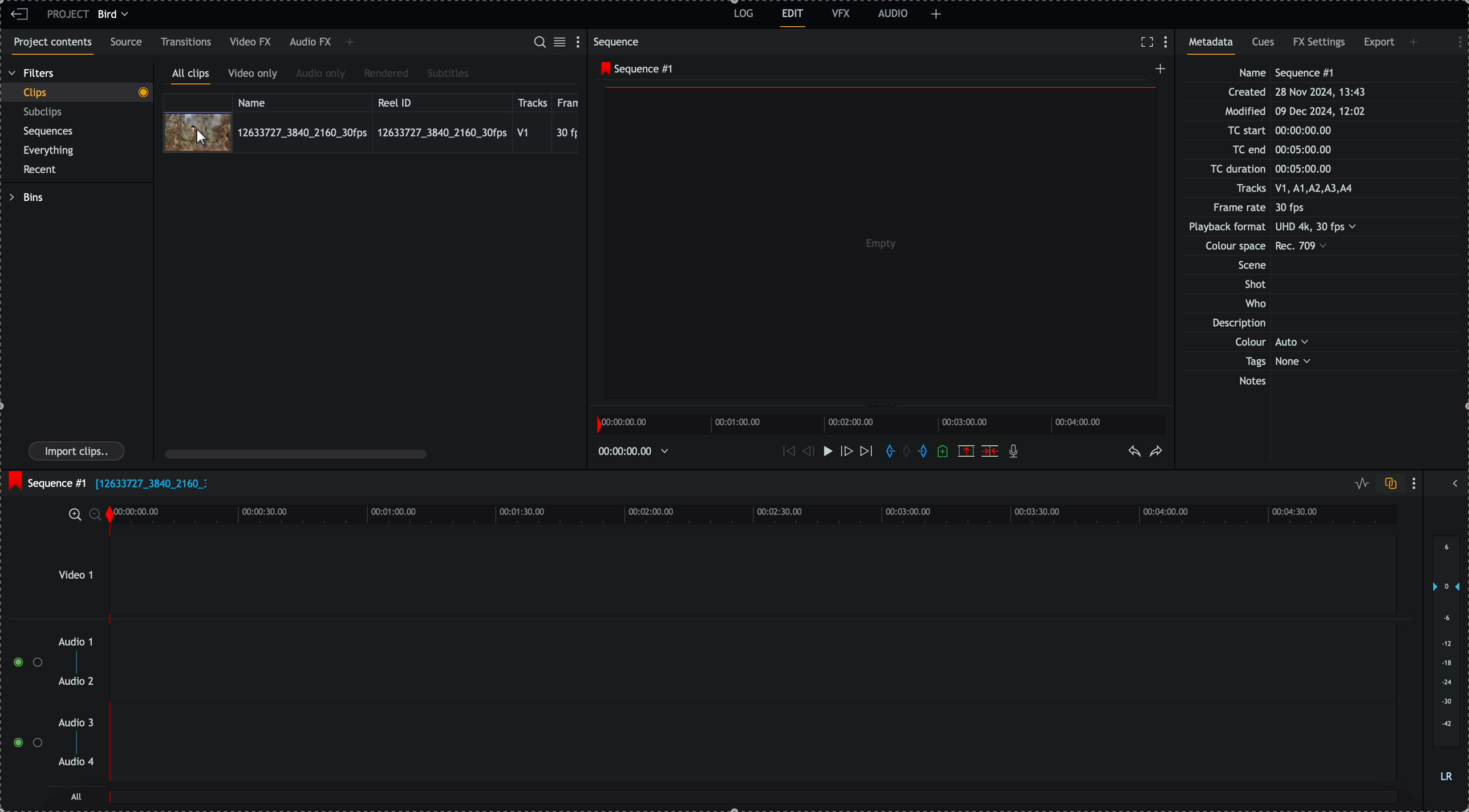 The width and height of the screenshot is (1469, 812). Describe the element at coordinates (539, 43) in the screenshot. I see `search for assets or bins` at that location.